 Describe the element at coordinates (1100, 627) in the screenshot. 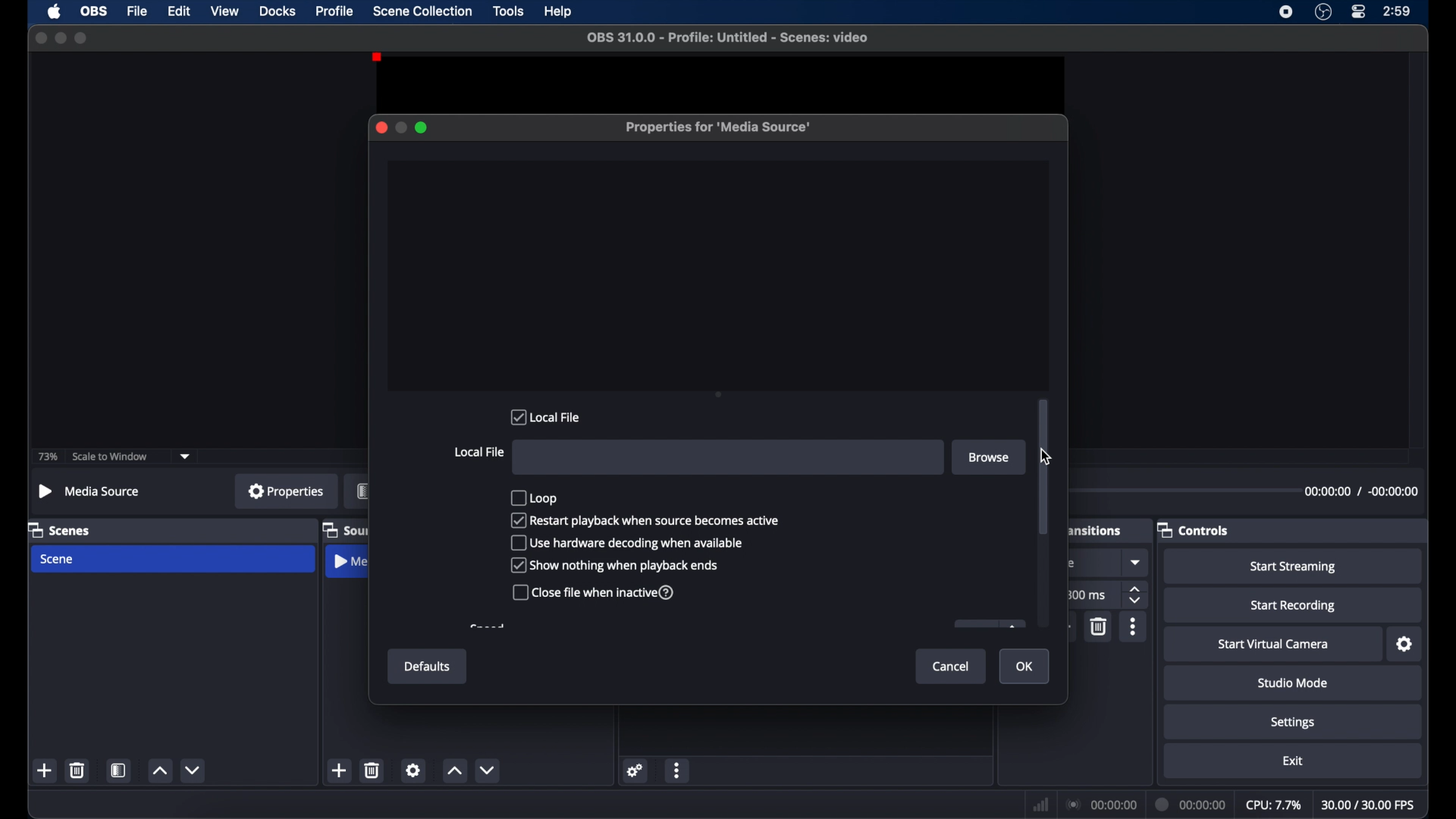

I see `delete` at that location.